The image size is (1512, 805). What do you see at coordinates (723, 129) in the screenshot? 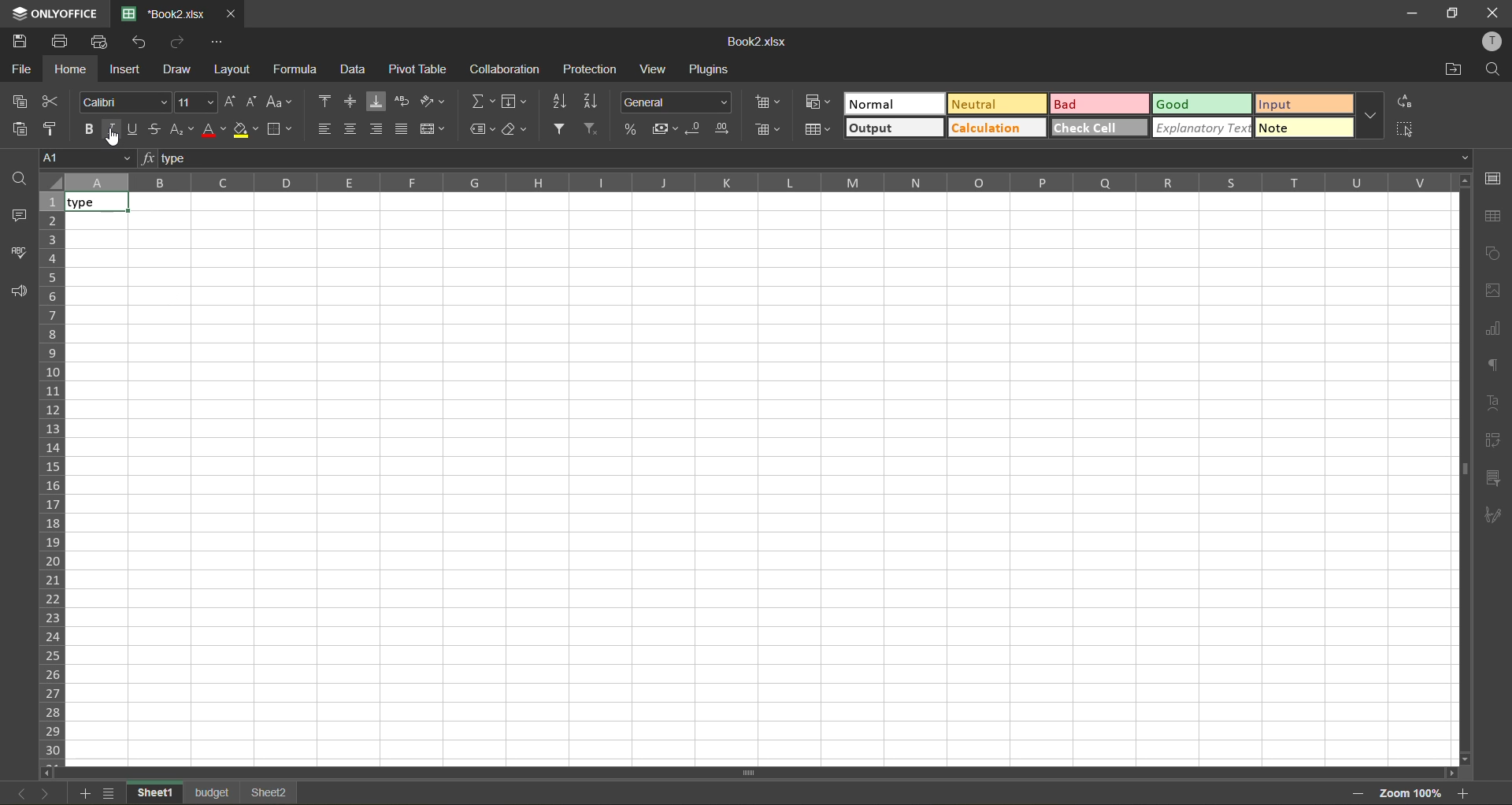
I see `increase decimal` at bounding box center [723, 129].